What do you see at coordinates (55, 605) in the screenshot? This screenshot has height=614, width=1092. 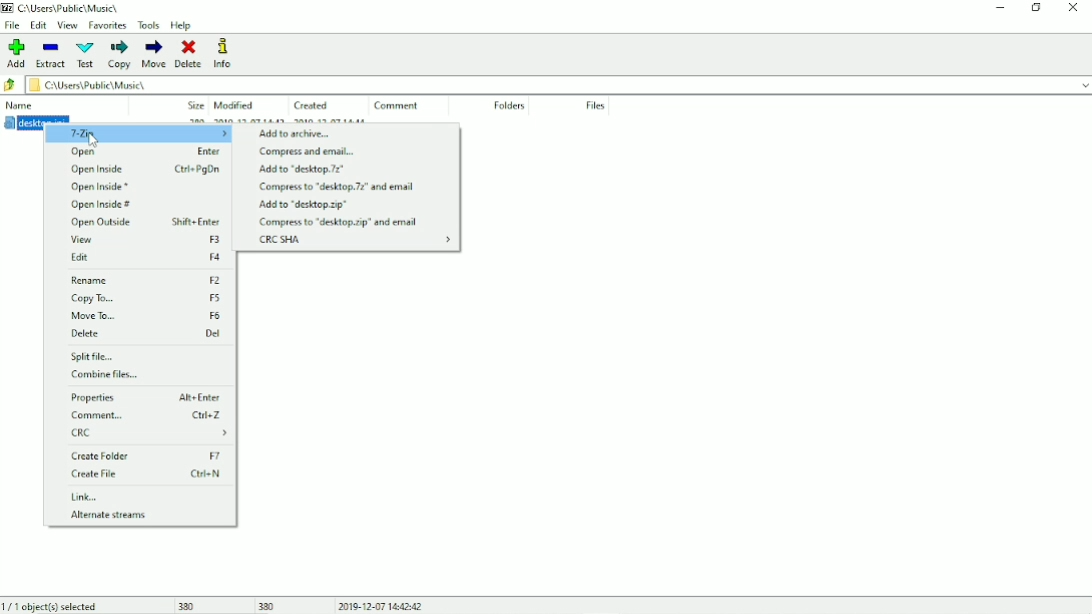 I see `1/1 object(s) selected` at bounding box center [55, 605].